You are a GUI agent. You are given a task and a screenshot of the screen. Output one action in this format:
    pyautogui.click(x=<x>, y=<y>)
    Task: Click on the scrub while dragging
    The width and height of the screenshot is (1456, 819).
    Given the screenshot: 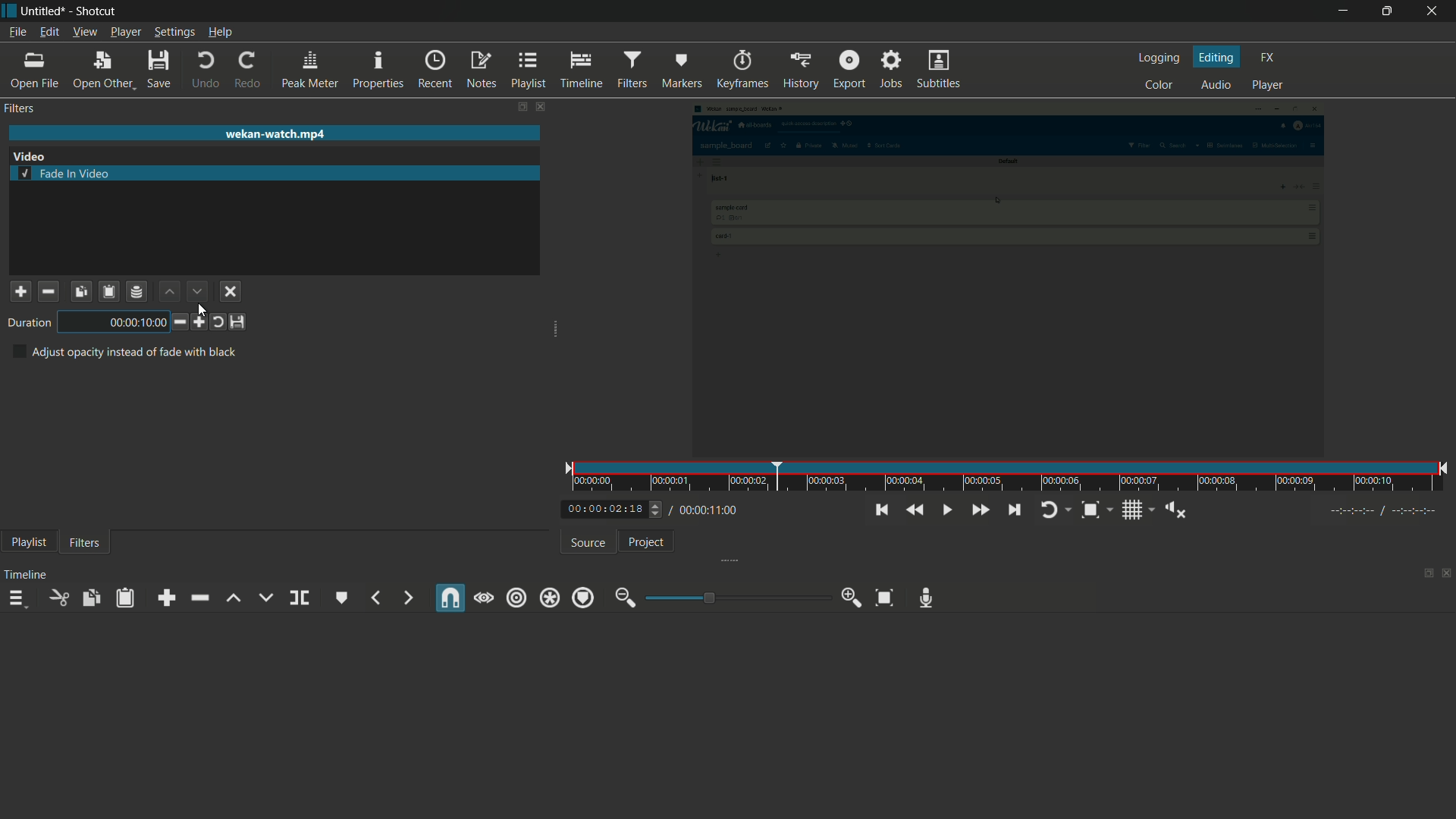 What is the action you would take?
    pyautogui.click(x=483, y=598)
    